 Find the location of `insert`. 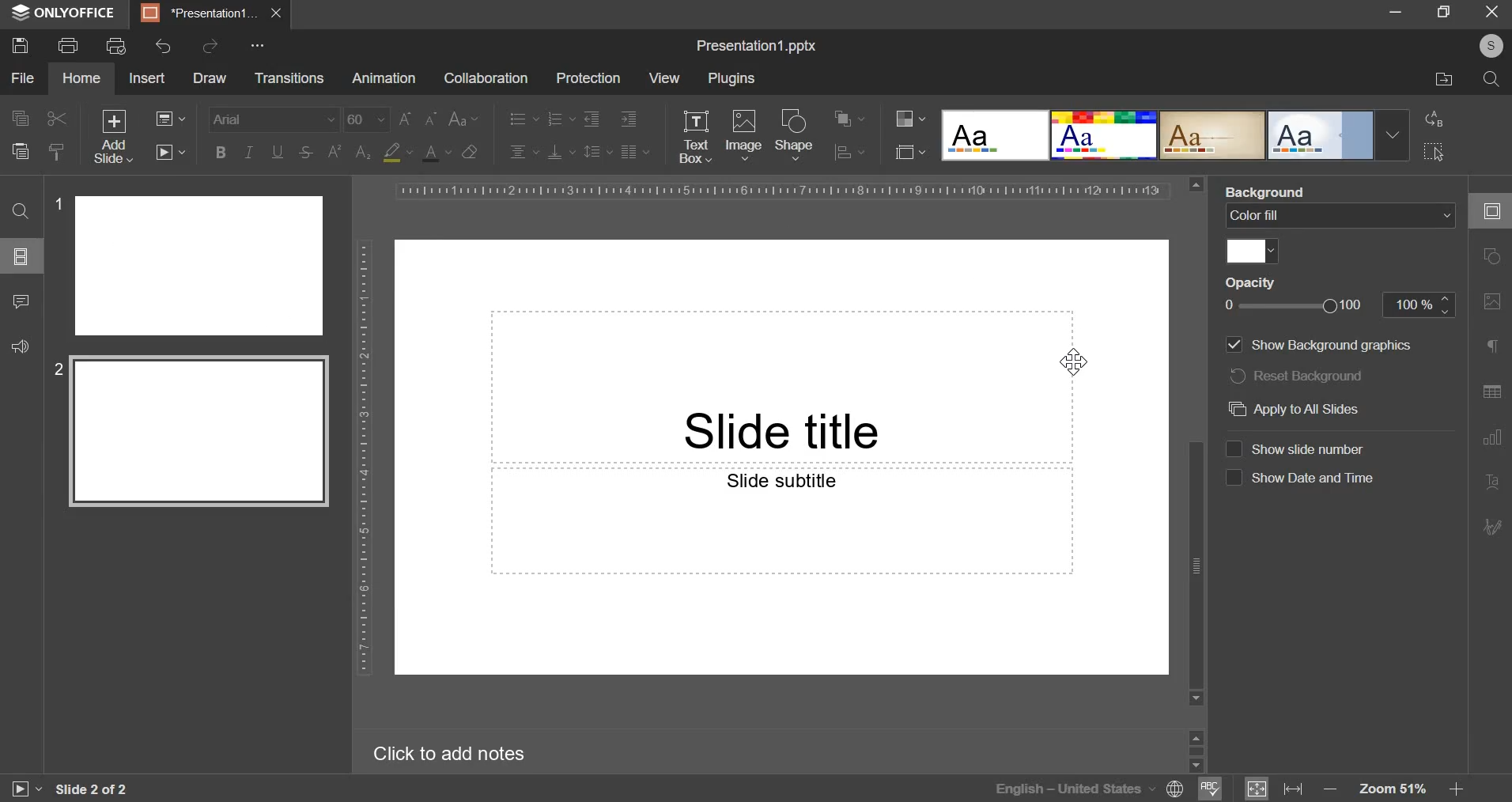

insert is located at coordinates (146, 77).